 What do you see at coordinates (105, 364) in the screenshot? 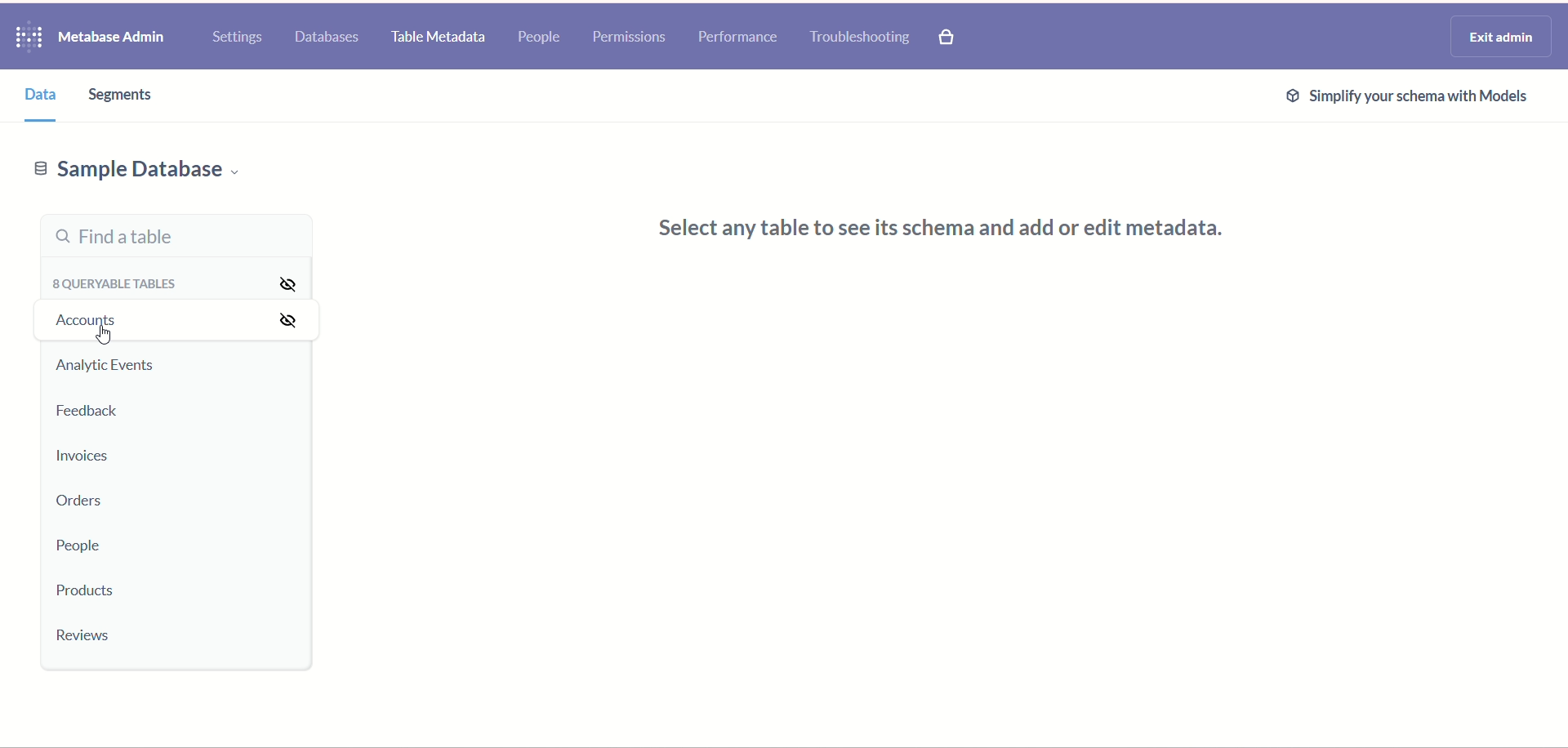
I see `analytic events` at bounding box center [105, 364].